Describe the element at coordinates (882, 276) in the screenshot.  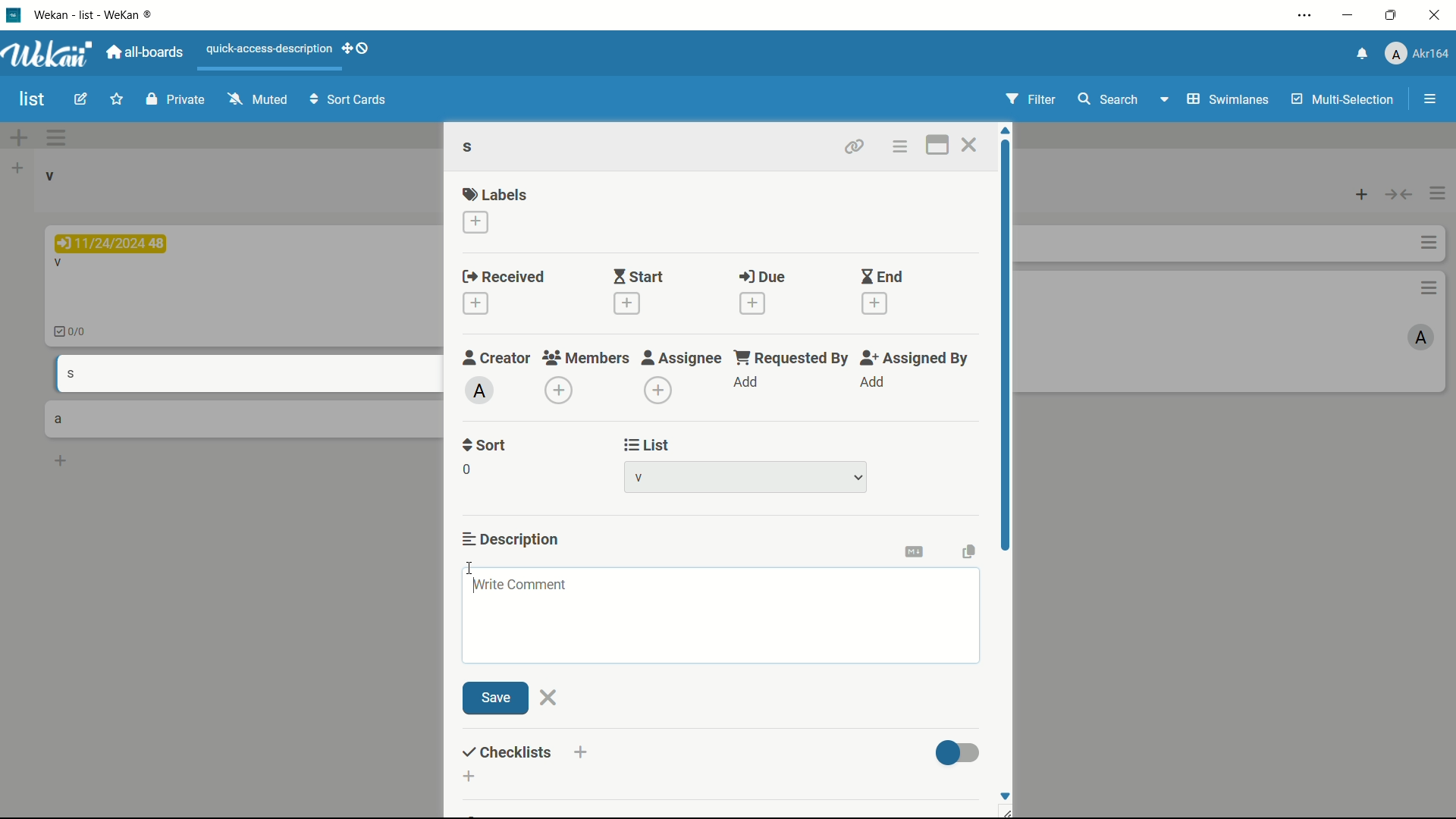
I see `end` at that location.